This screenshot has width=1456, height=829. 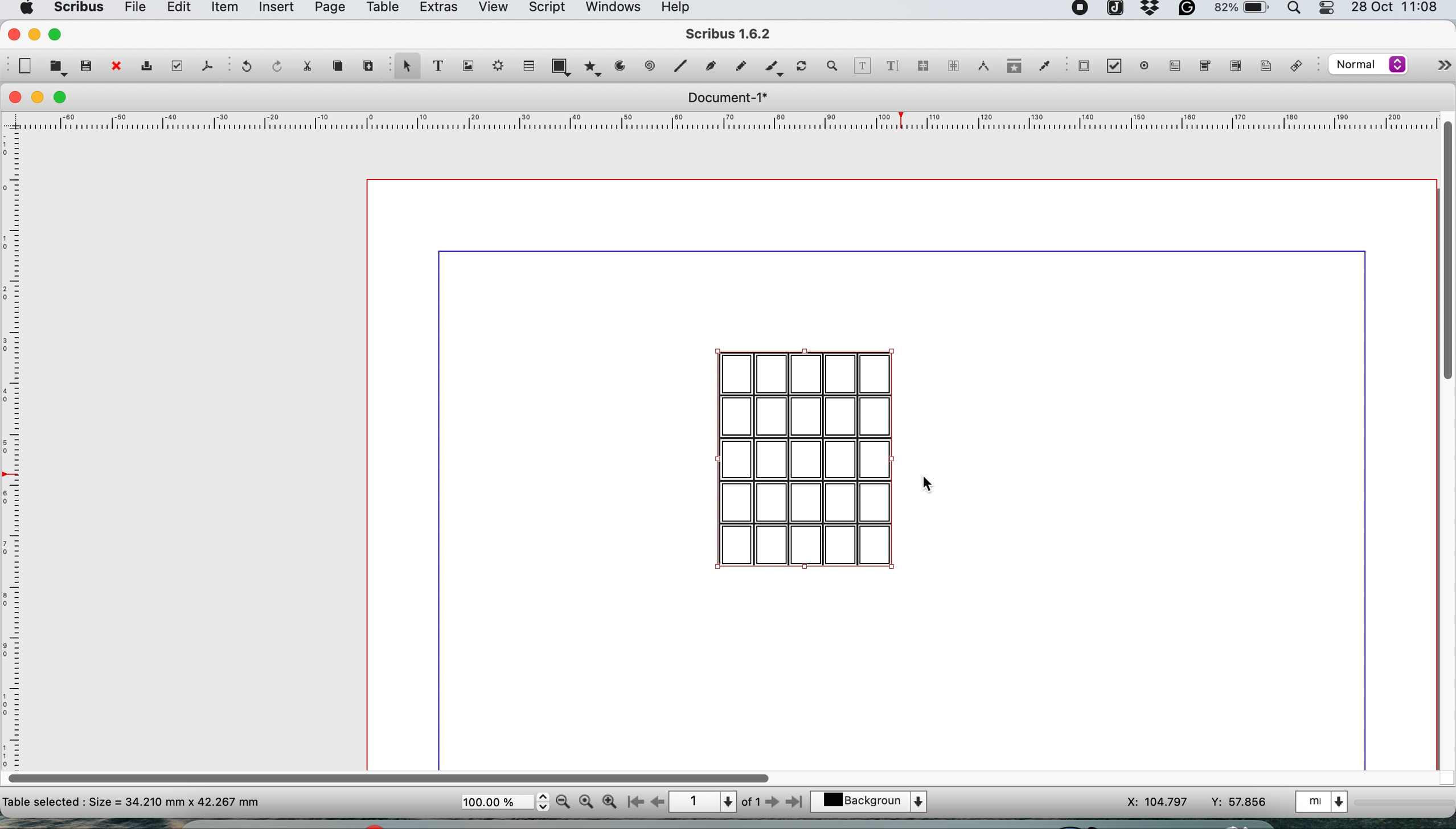 What do you see at coordinates (177, 9) in the screenshot?
I see `edit` at bounding box center [177, 9].